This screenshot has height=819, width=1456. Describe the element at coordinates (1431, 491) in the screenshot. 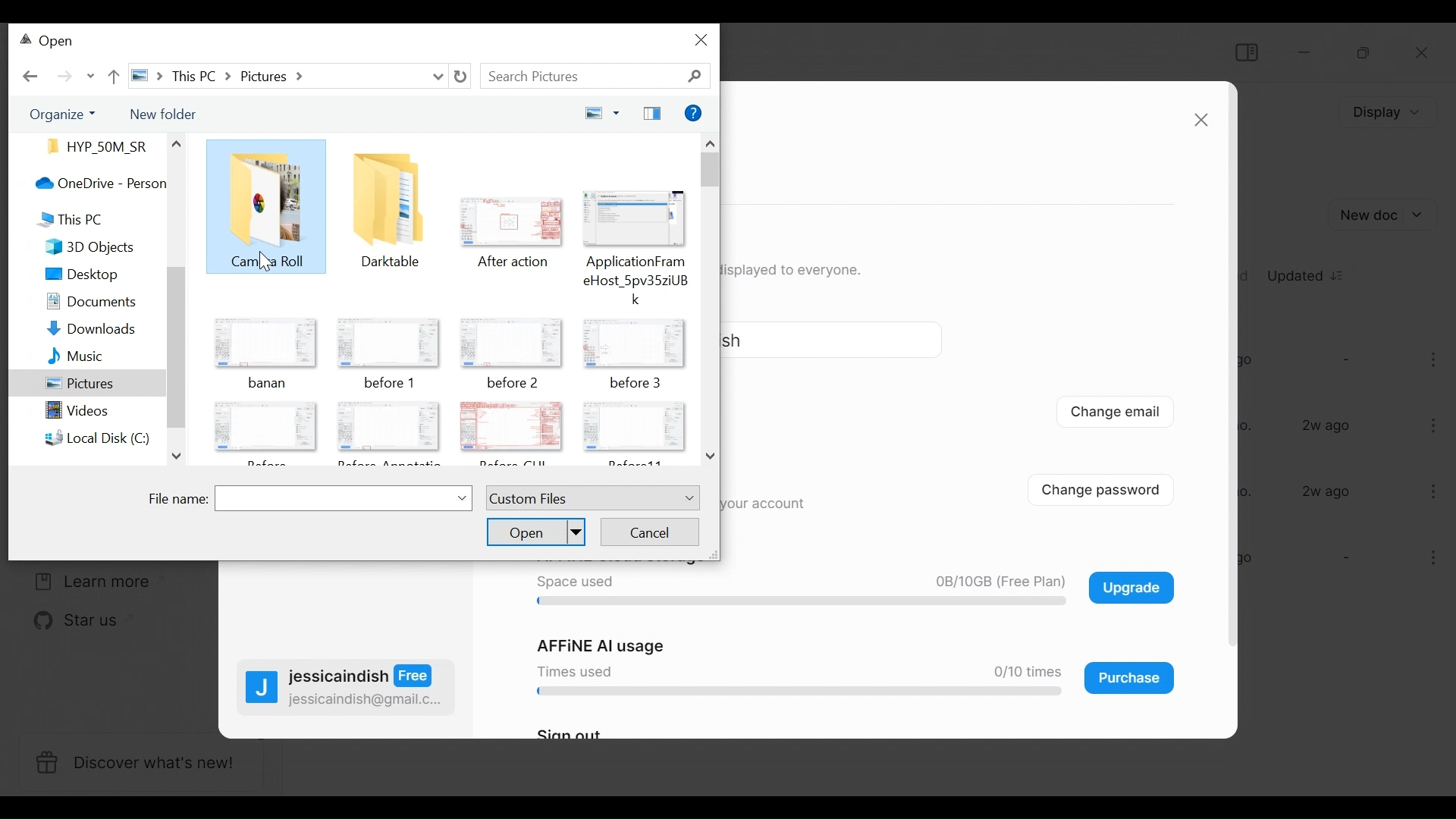

I see `more options` at that location.